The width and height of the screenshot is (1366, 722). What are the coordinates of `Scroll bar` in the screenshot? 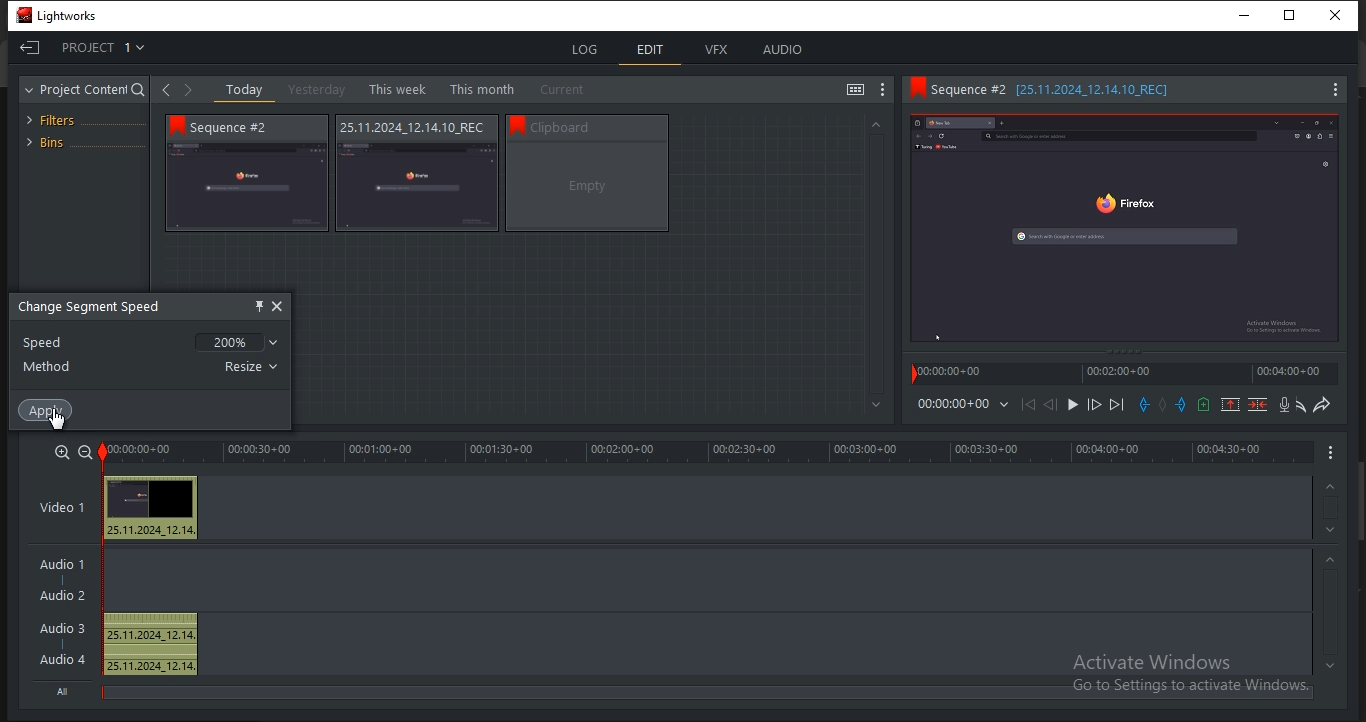 It's located at (1357, 499).